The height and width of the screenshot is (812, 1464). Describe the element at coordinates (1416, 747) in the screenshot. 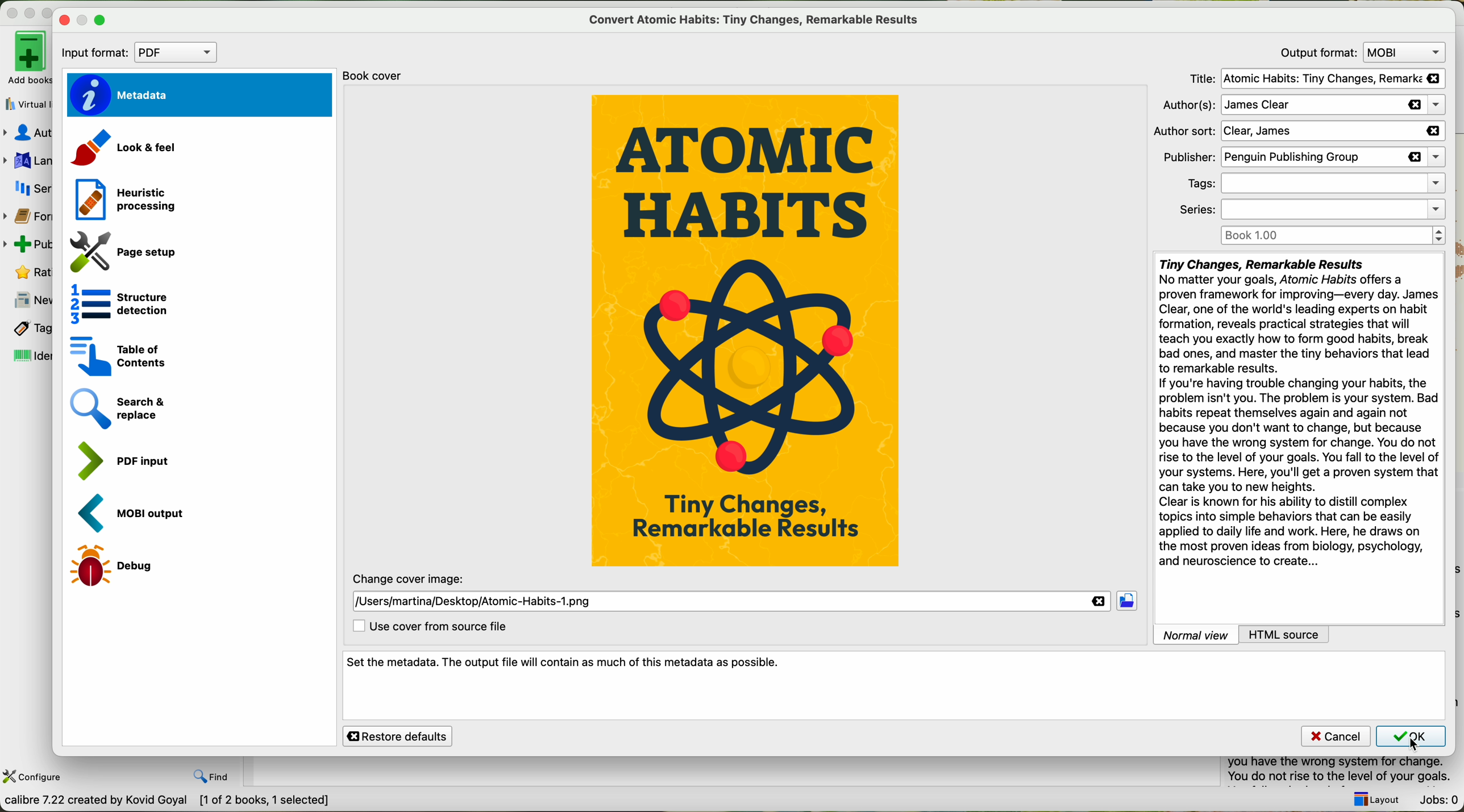

I see `click on OK` at that location.